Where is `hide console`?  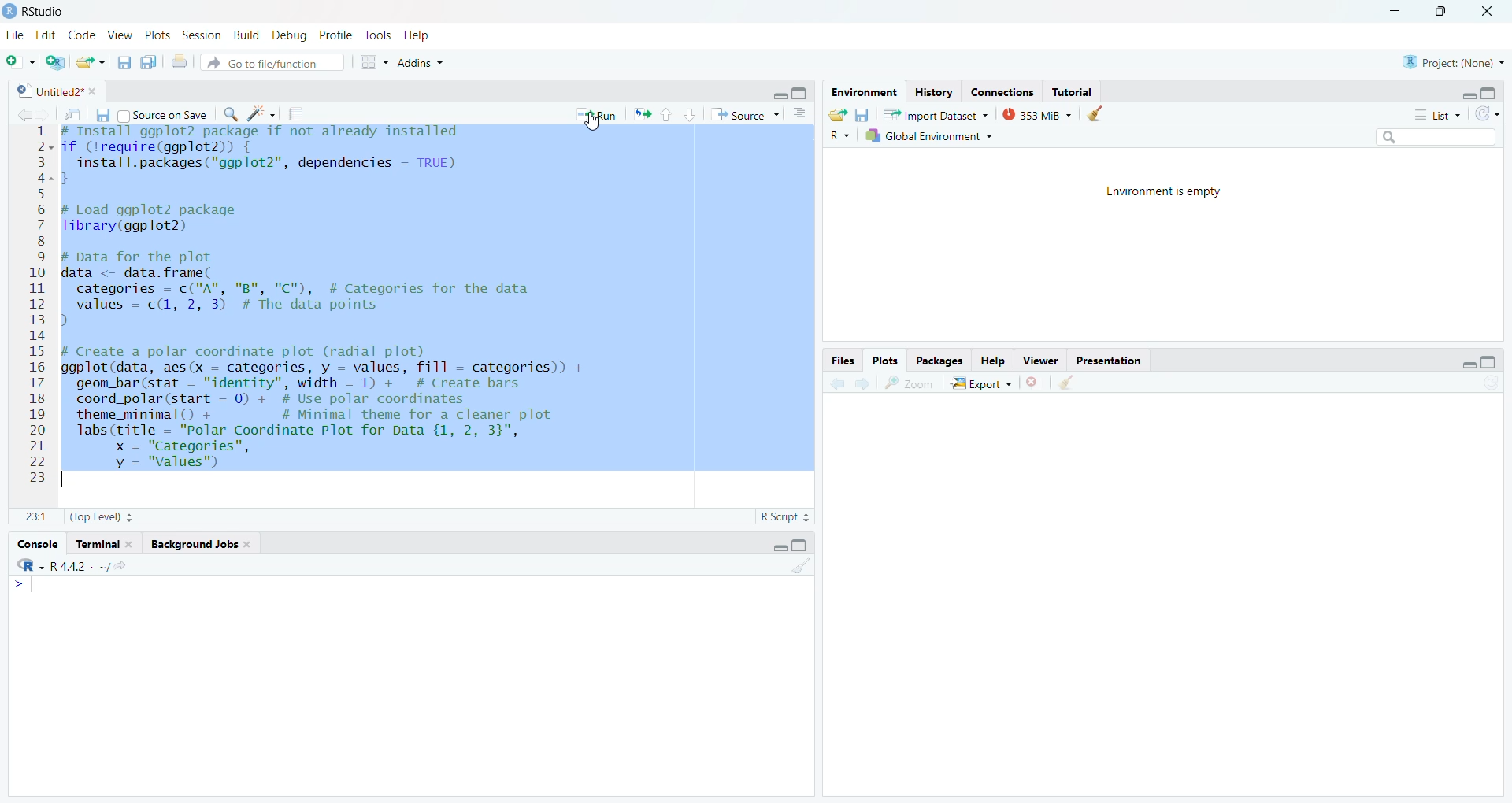 hide console is located at coordinates (1489, 362).